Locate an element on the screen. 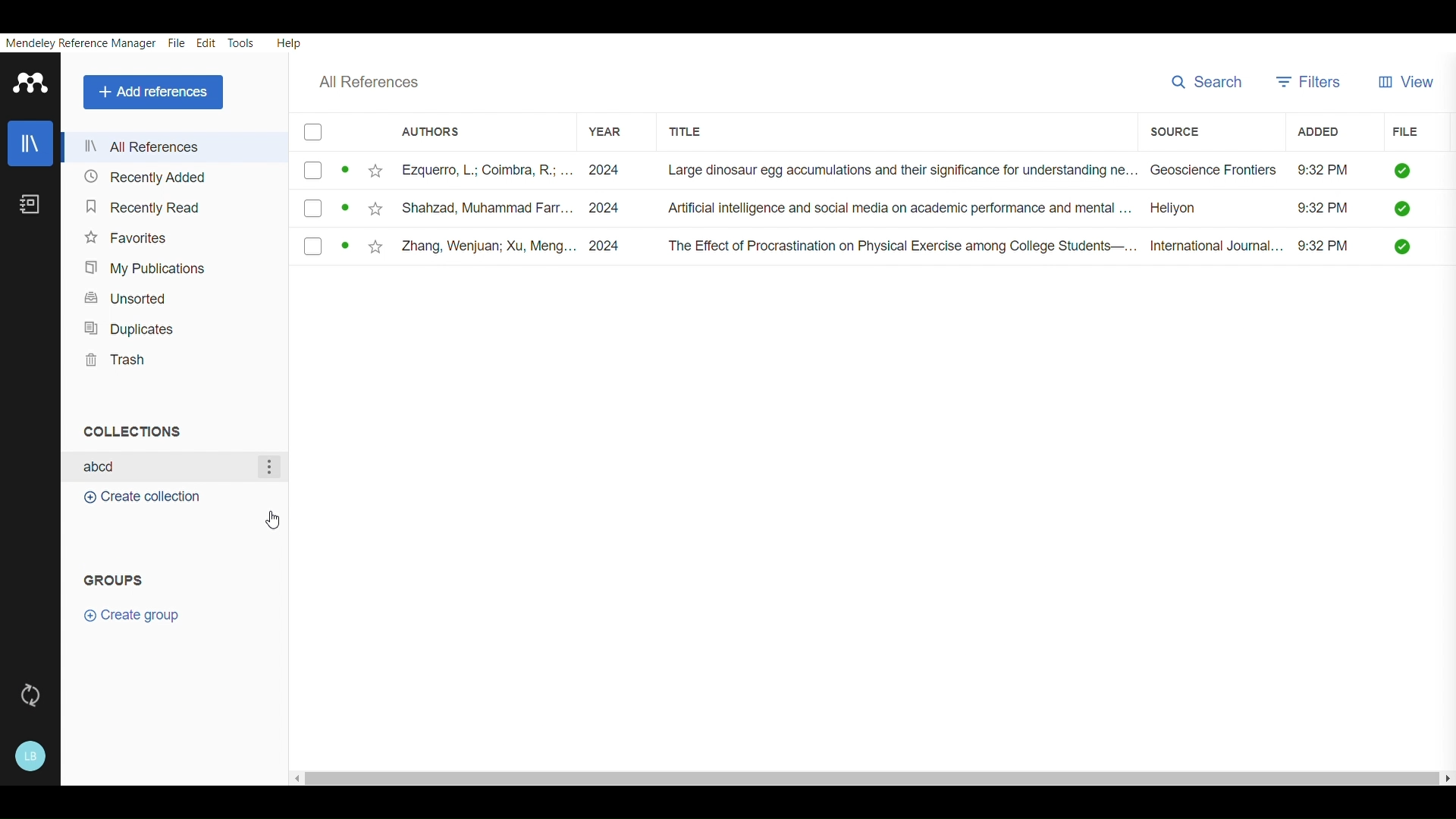 The width and height of the screenshot is (1456, 819). Edit is located at coordinates (205, 42).